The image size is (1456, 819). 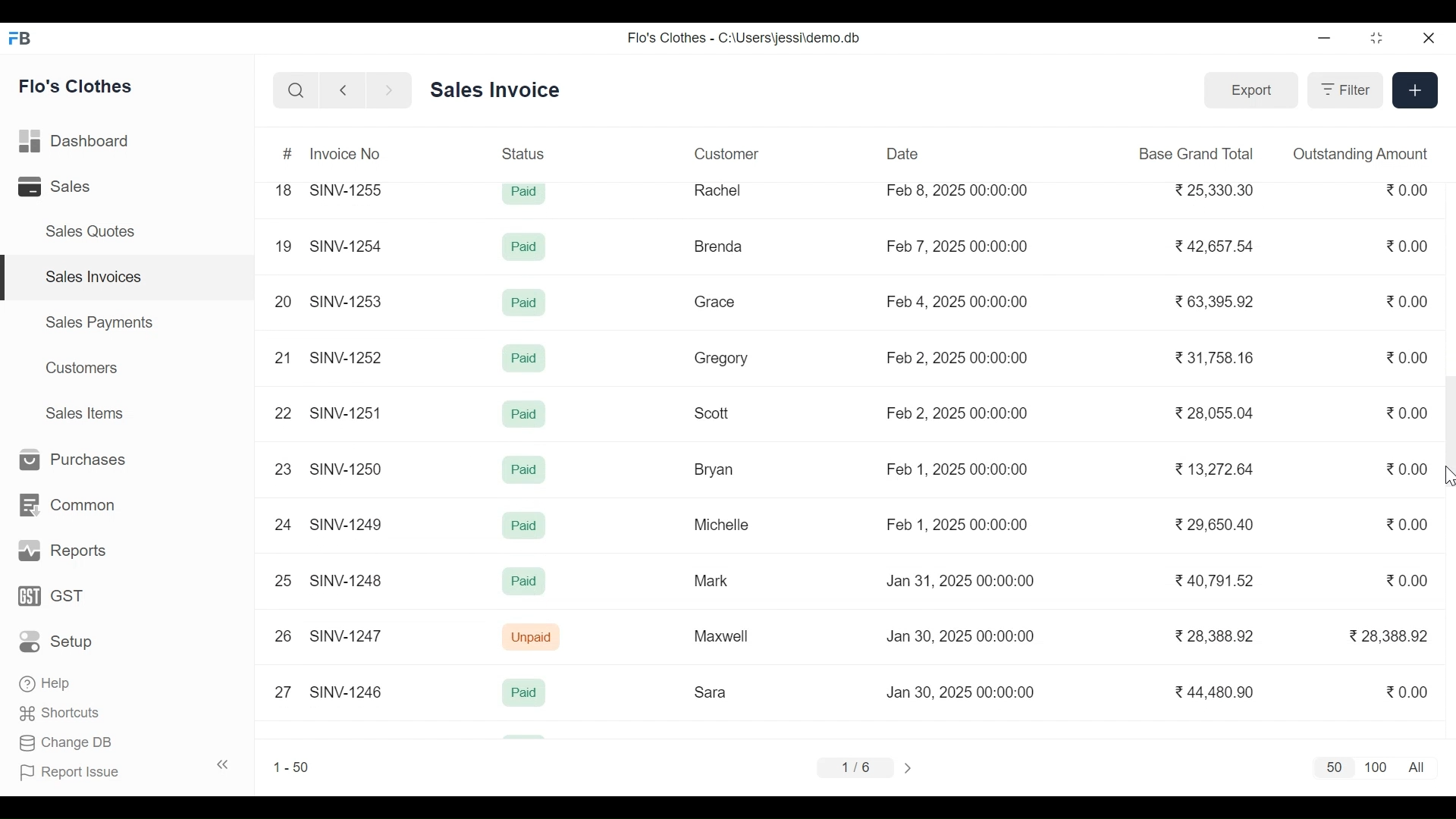 I want to click on 0.00, so click(x=1410, y=414).